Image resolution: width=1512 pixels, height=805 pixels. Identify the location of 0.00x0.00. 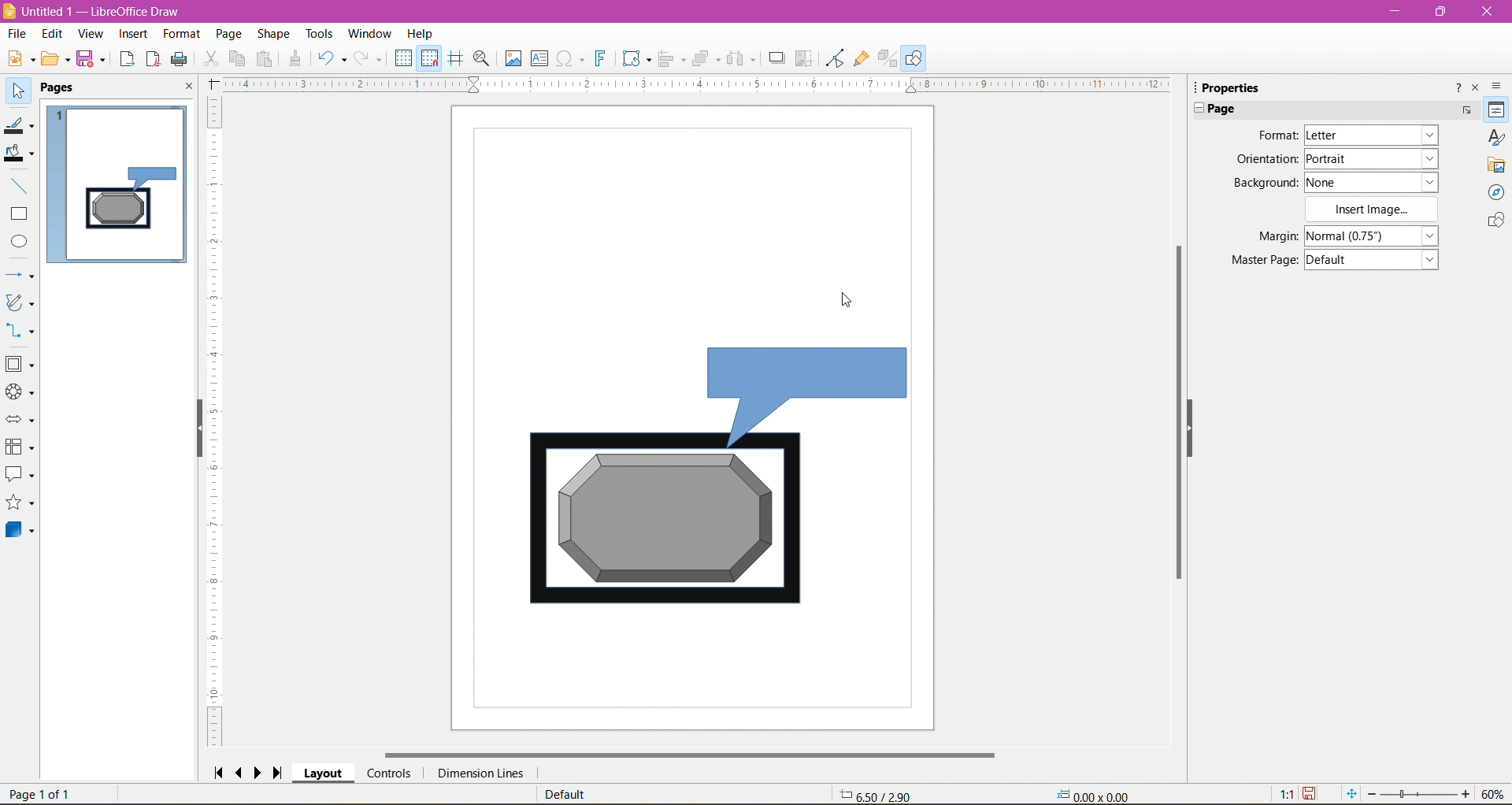
(1097, 795).